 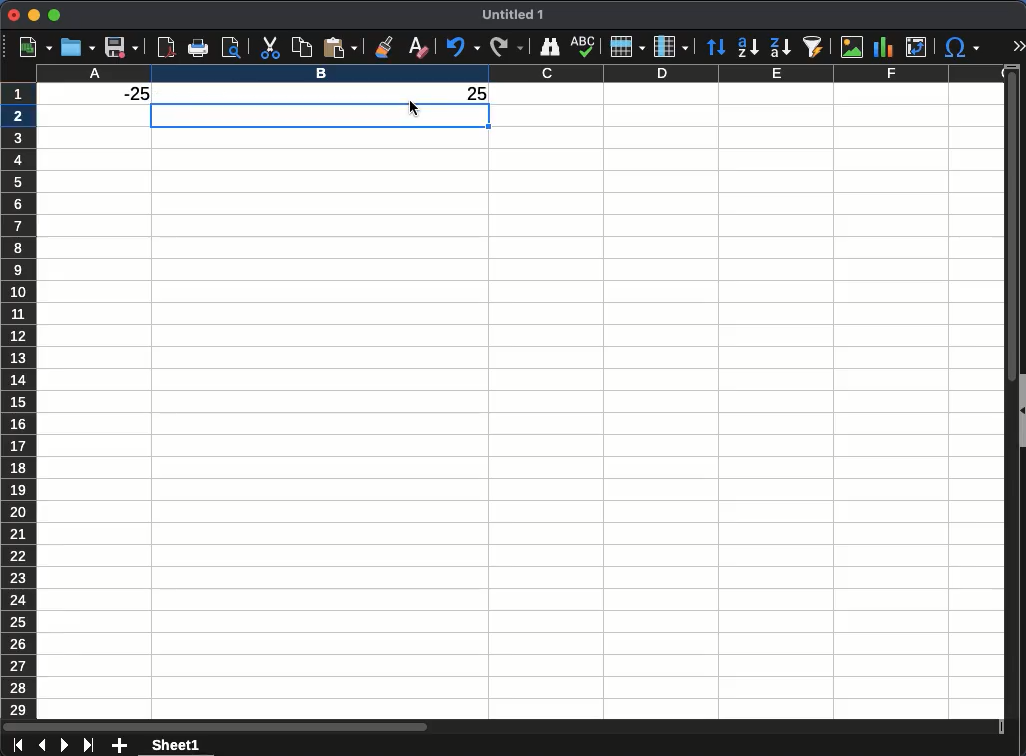 I want to click on open, so click(x=76, y=48).